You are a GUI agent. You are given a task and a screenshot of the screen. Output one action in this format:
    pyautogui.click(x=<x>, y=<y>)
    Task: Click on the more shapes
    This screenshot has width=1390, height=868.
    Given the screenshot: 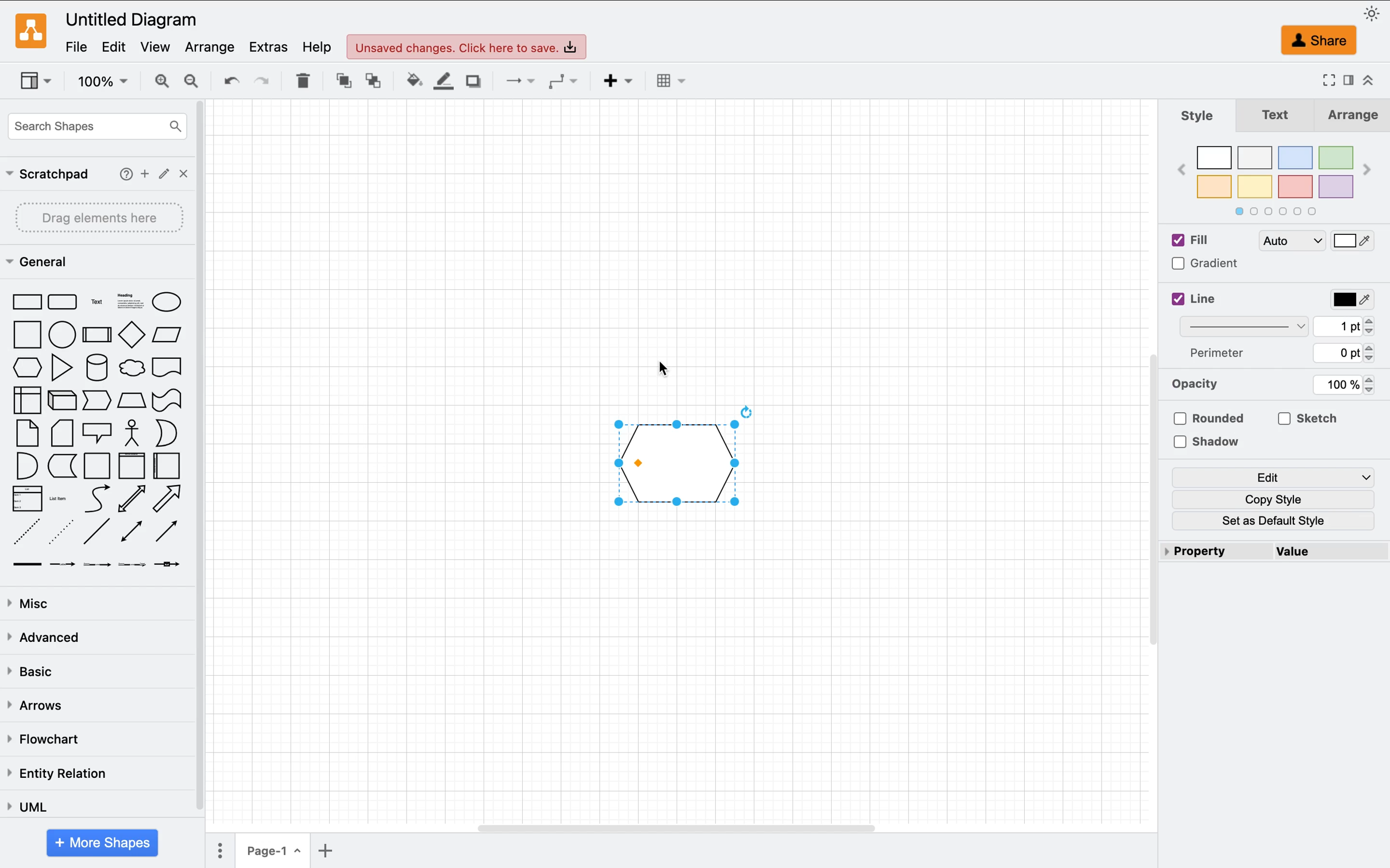 What is the action you would take?
    pyautogui.click(x=104, y=843)
    